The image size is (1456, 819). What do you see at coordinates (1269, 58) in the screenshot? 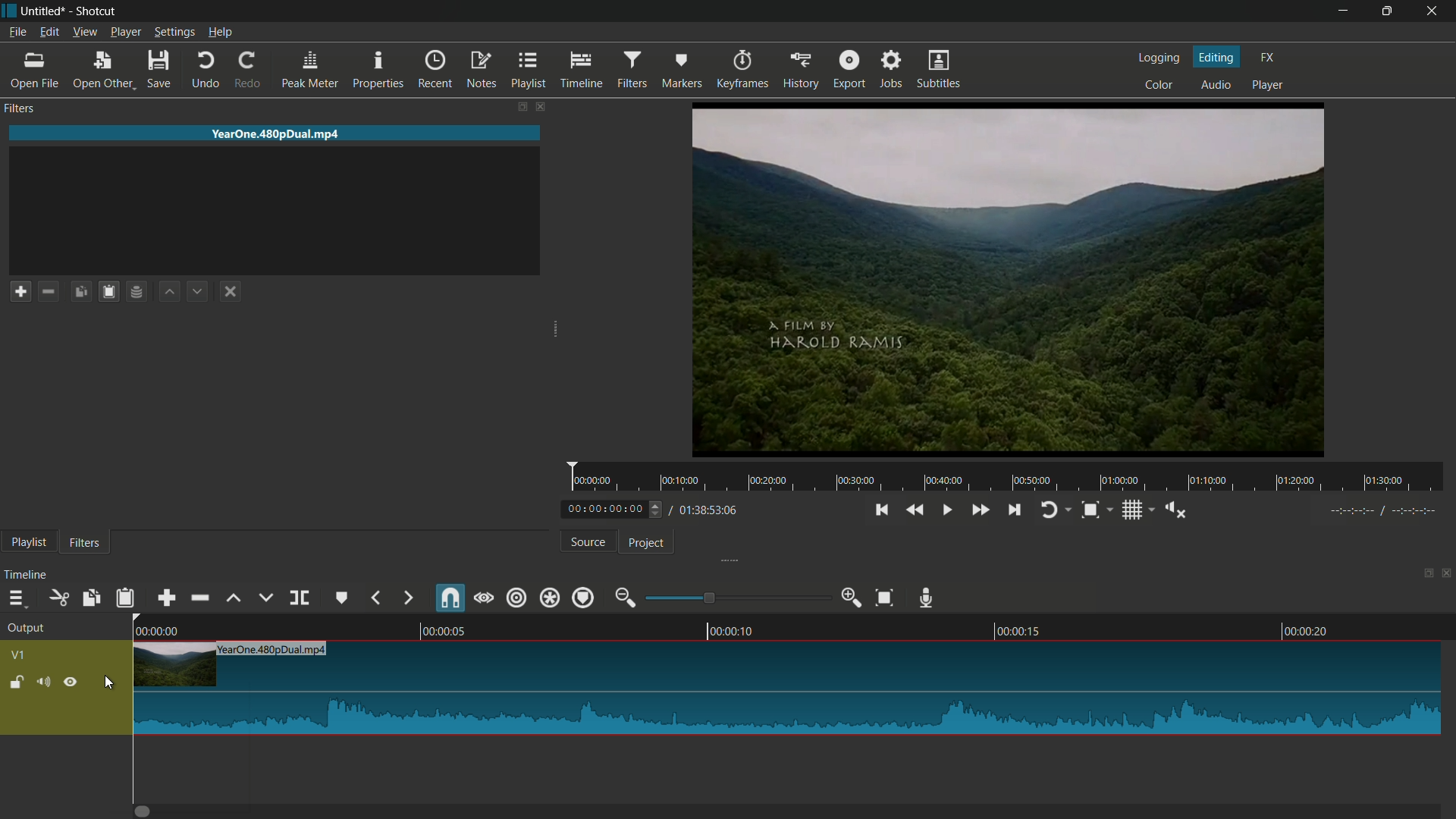
I see `fx` at bounding box center [1269, 58].